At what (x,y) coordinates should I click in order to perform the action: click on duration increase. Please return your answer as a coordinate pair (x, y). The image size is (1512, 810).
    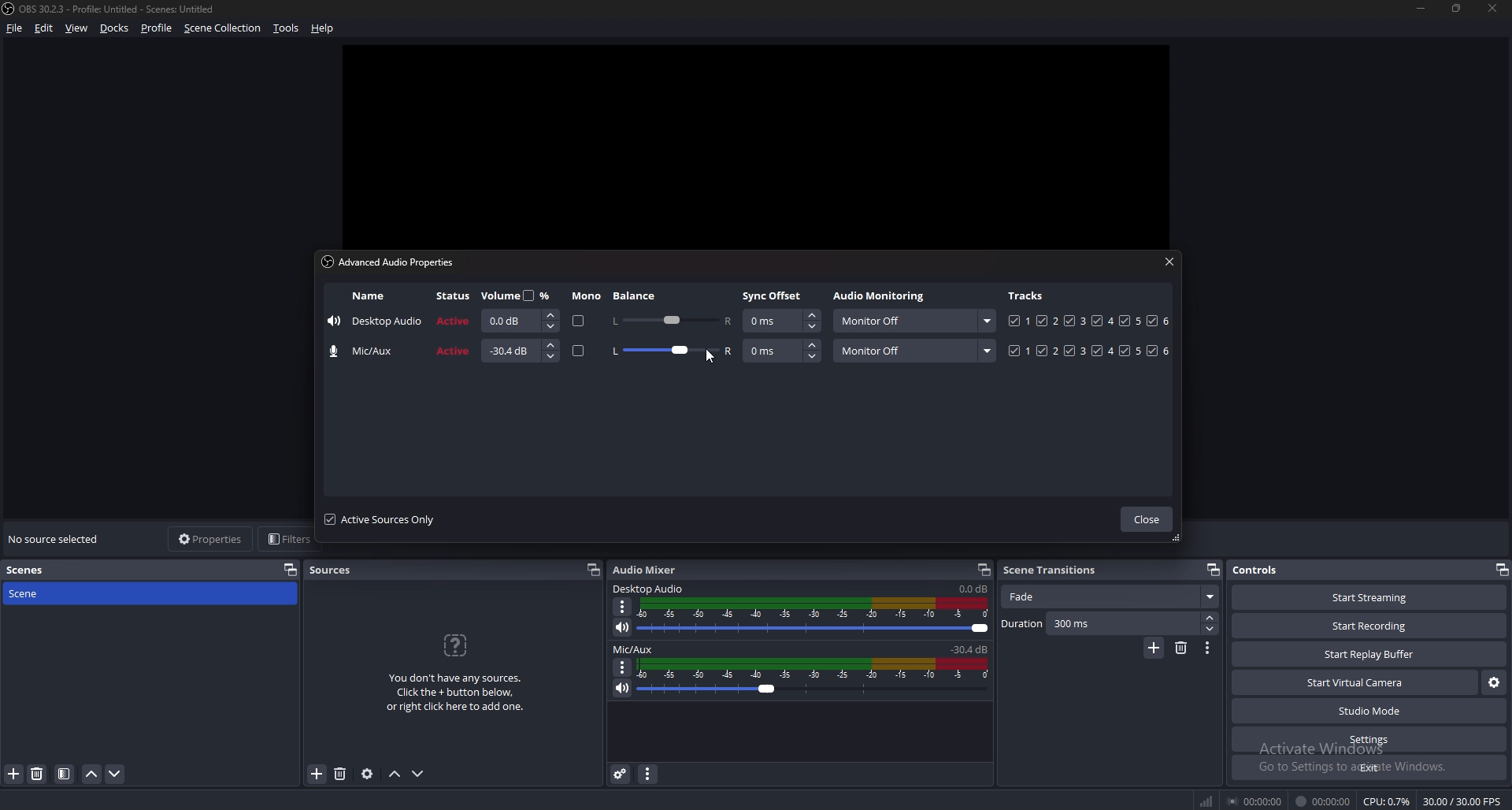
    Looking at the image, I should click on (1211, 619).